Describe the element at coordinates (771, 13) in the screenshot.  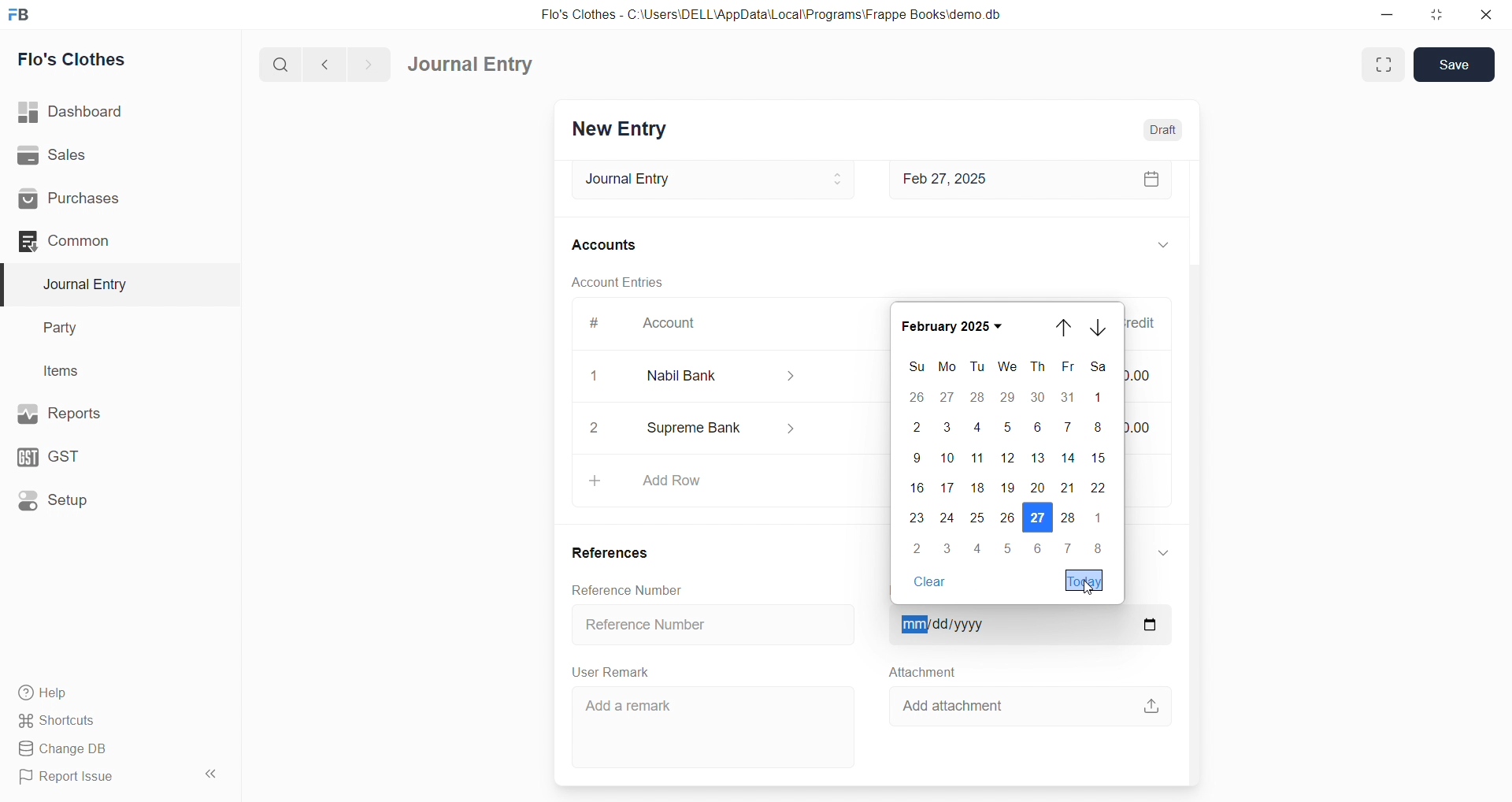
I see `Flo's Clothes - C:\Users\DELL\AppData\Local\Programs\Frappe Books\demo.db` at that location.